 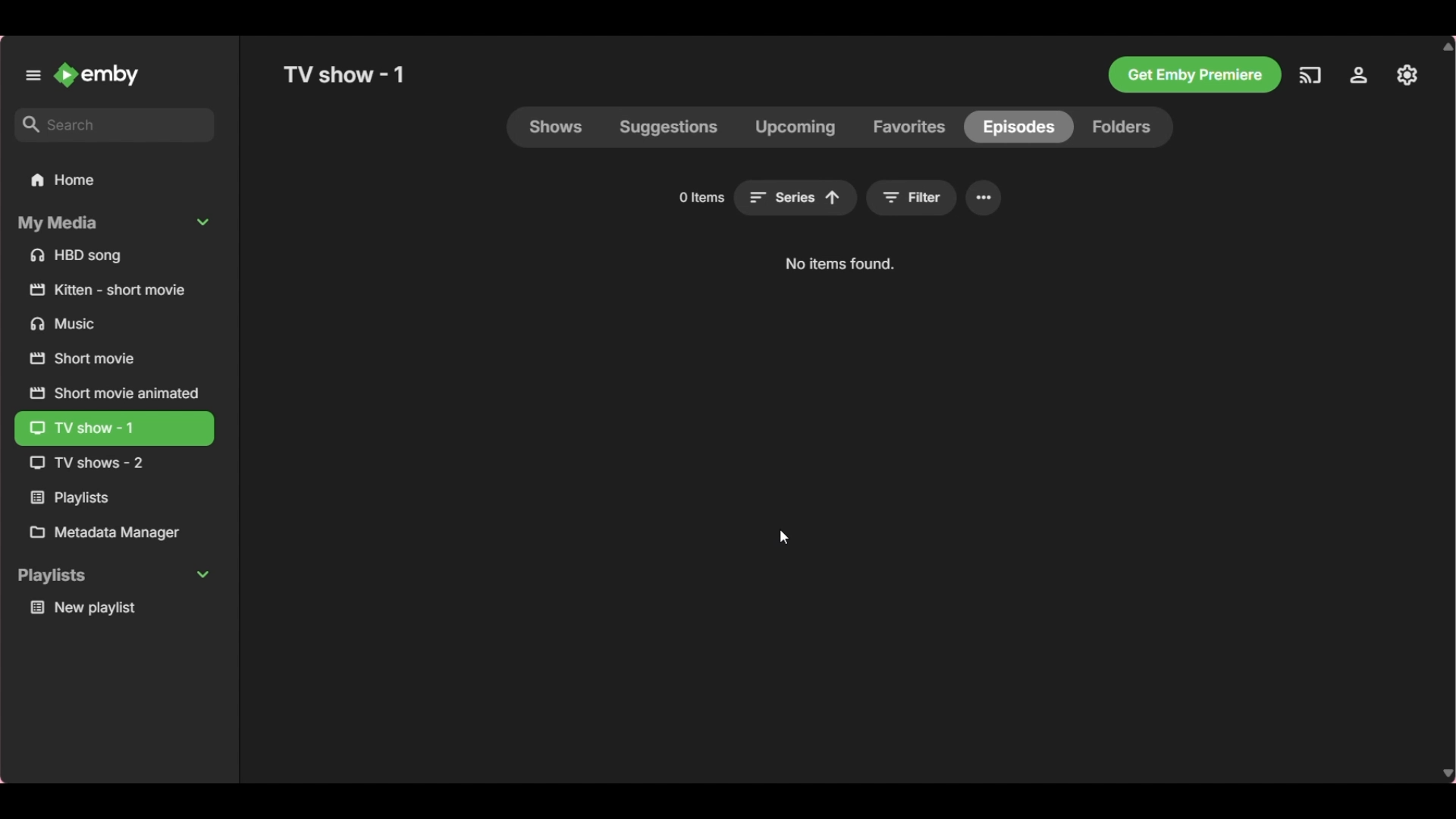 What do you see at coordinates (98, 74) in the screenshot?
I see `Go to home` at bounding box center [98, 74].